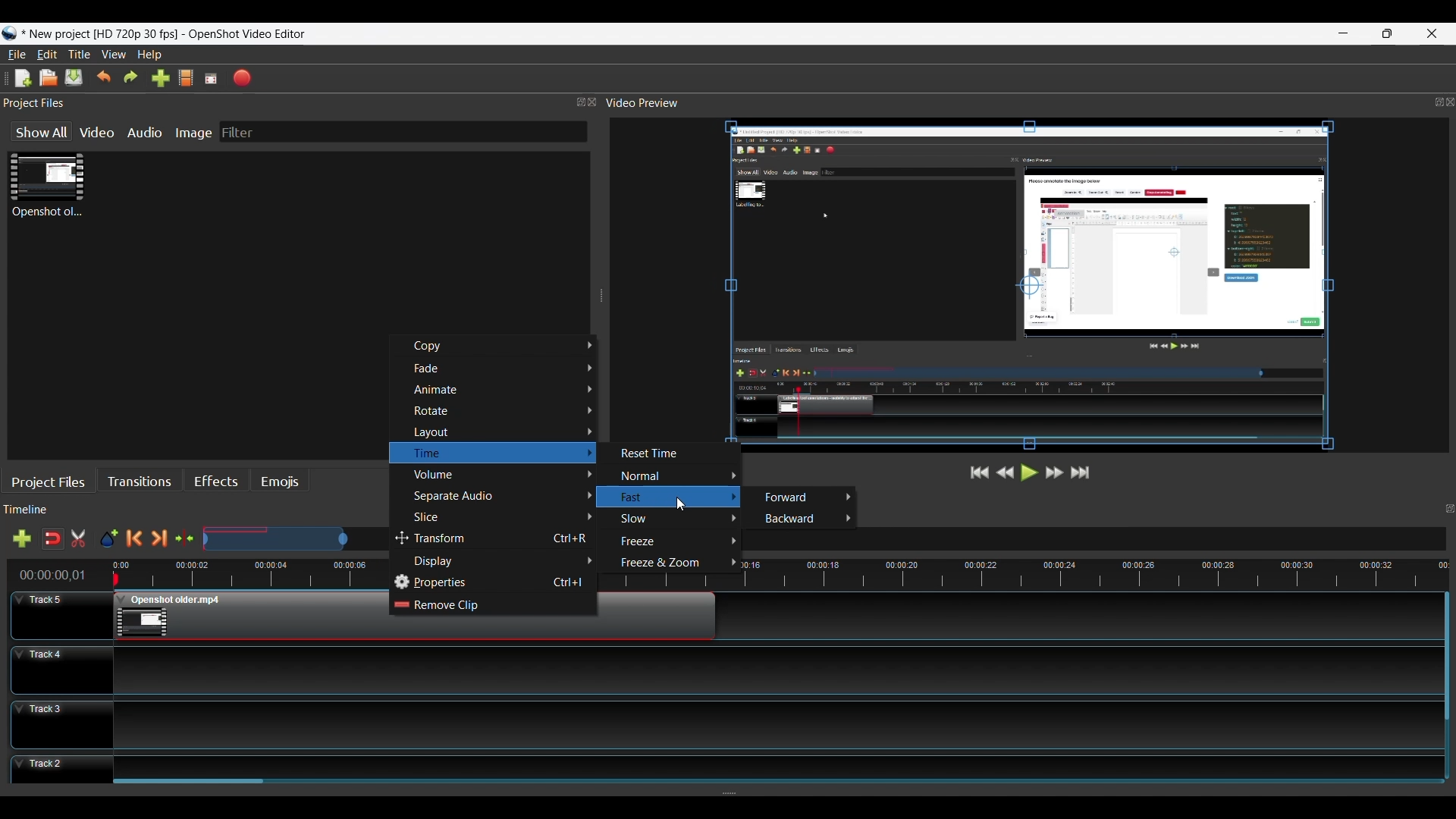 The image size is (1456, 819). What do you see at coordinates (1006, 472) in the screenshot?
I see `Rewind` at bounding box center [1006, 472].